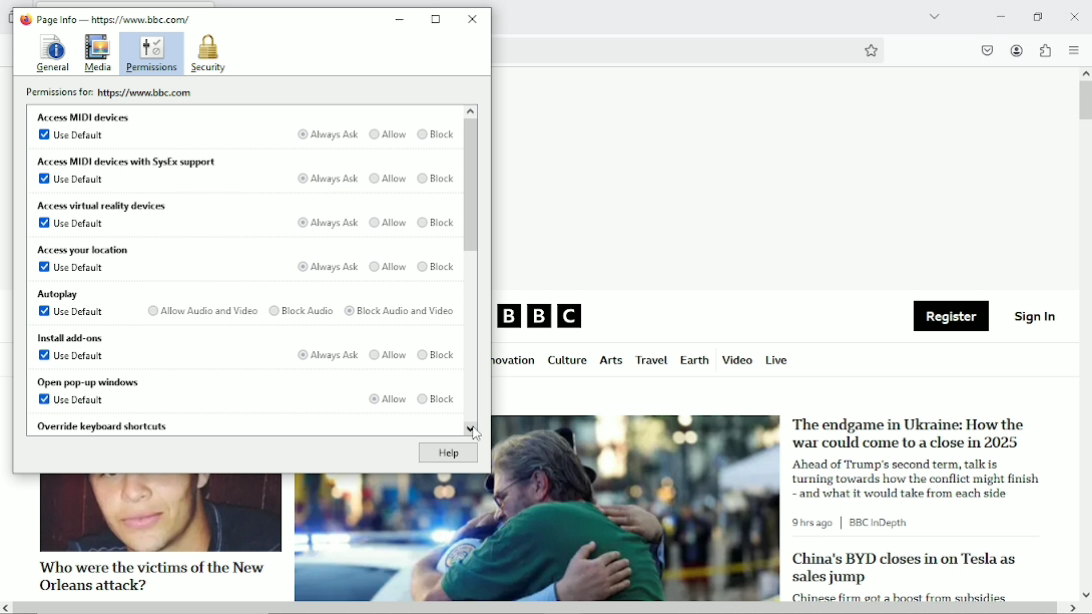 This screenshot has height=614, width=1092. What do you see at coordinates (477, 435) in the screenshot?
I see `cursor` at bounding box center [477, 435].